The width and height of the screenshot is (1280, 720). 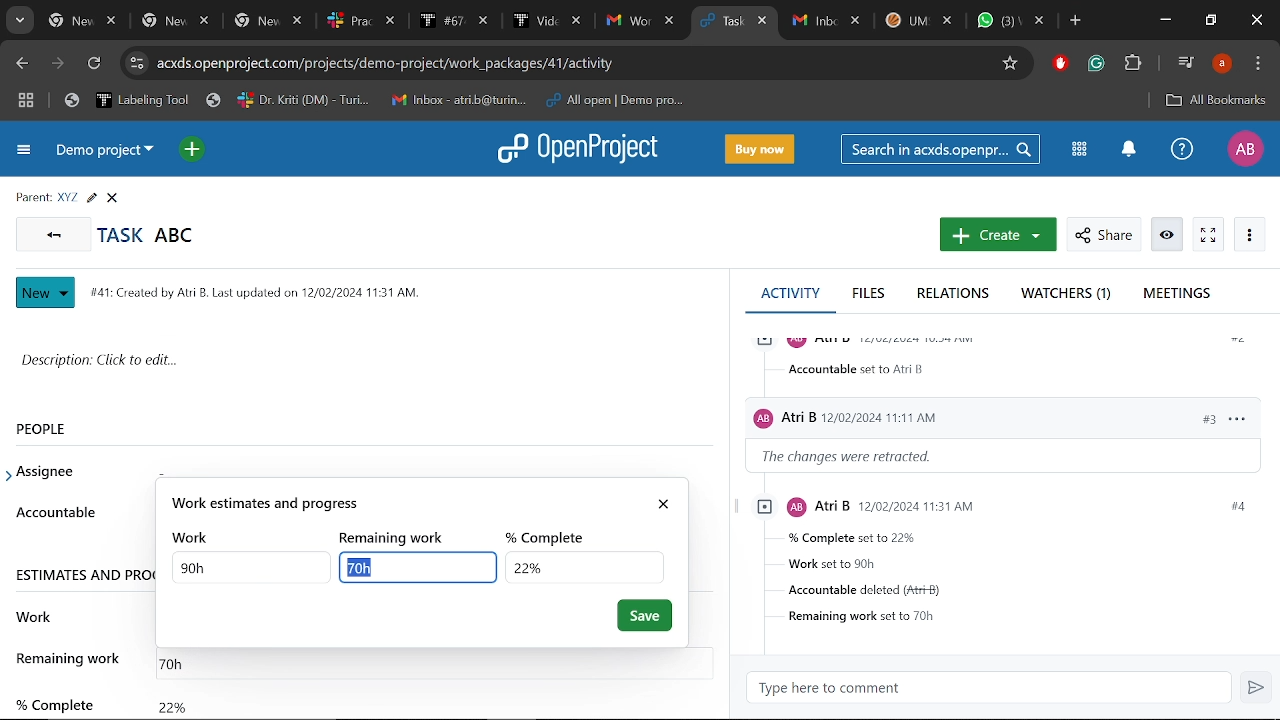 I want to click on Activate zen mode, so click(x=1208, y=235).